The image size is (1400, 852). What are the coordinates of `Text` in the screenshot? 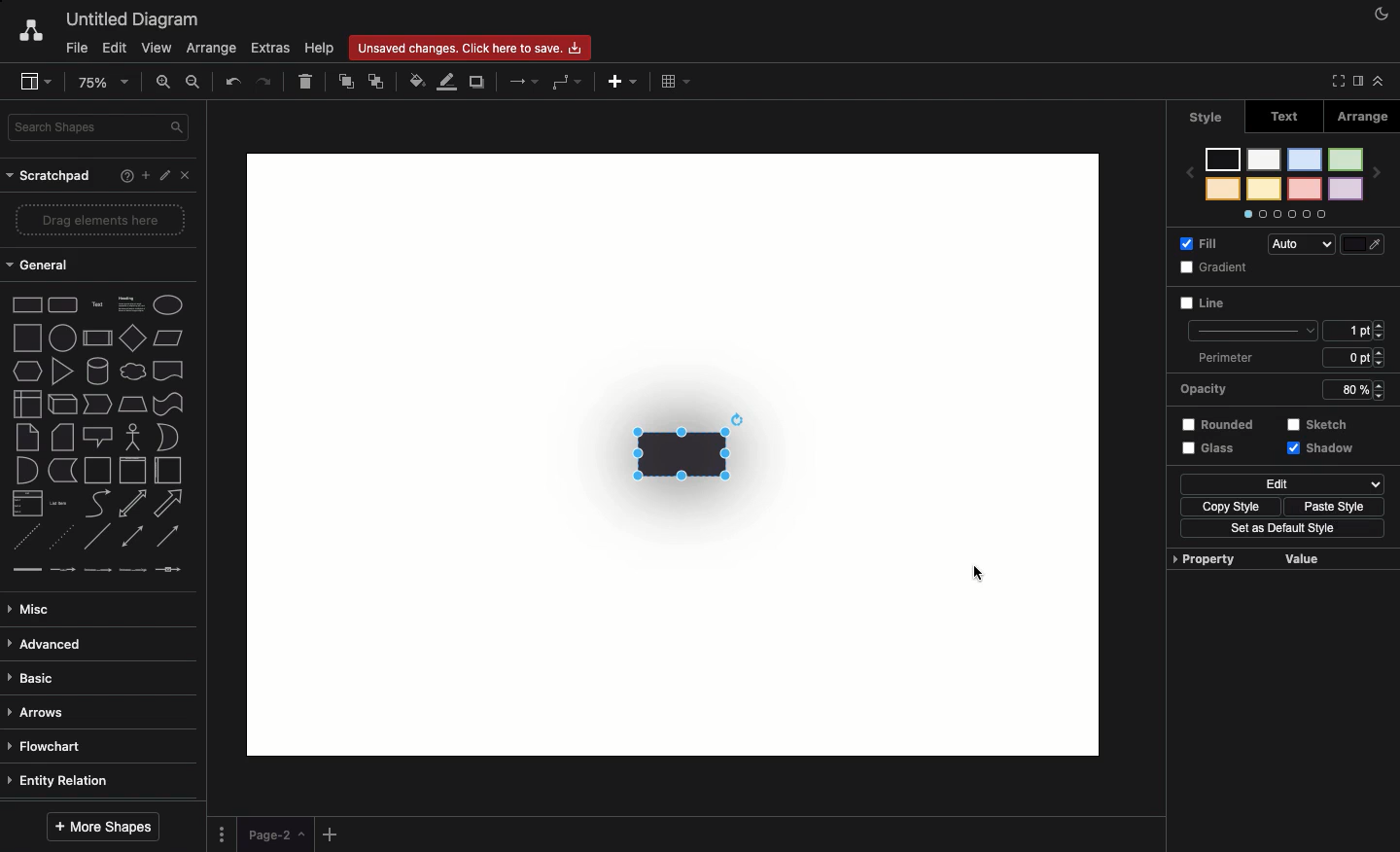 It's located at (1280, 117).